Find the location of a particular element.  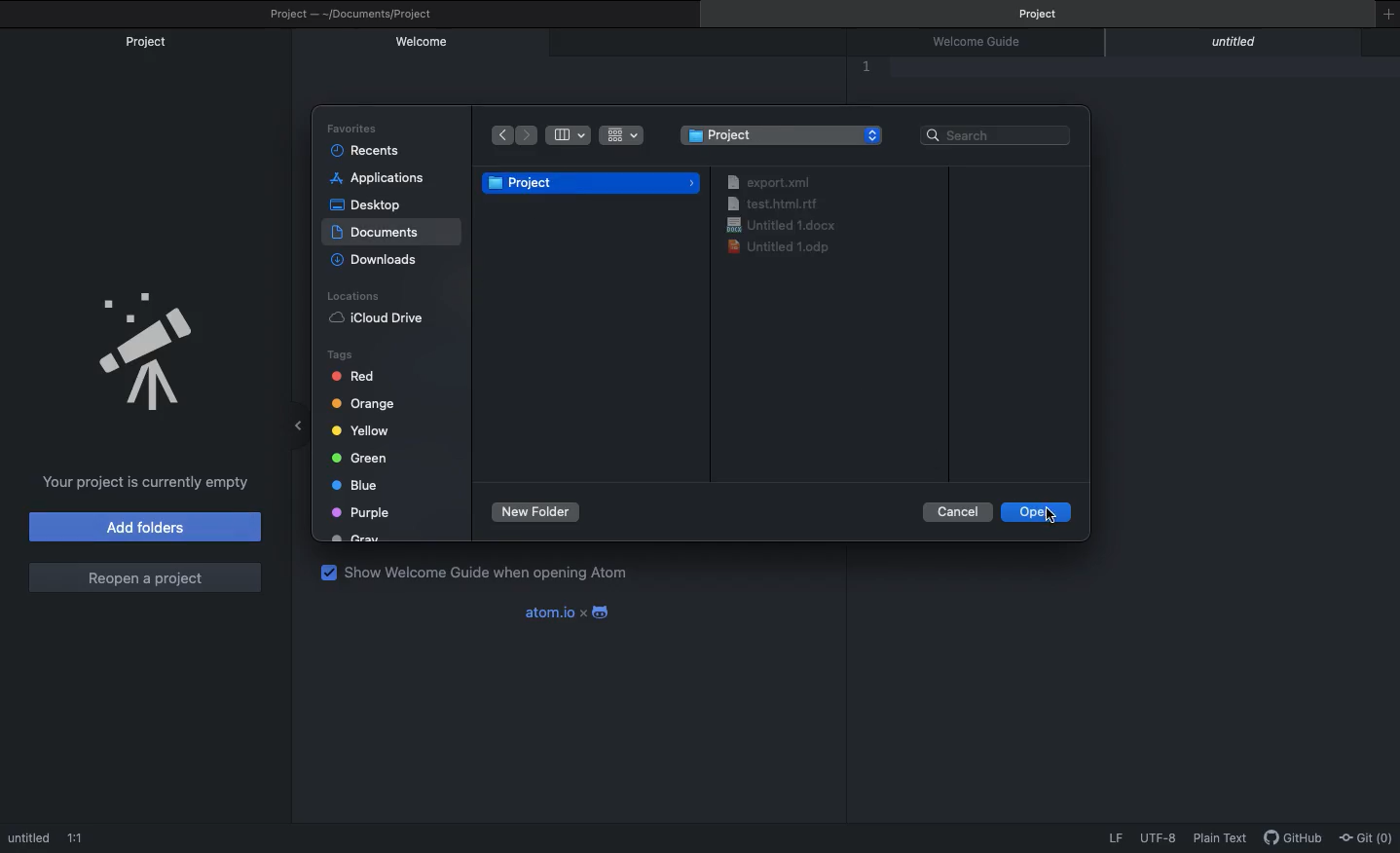

Untitled 1.0dp is located at coordinates (780, 246).